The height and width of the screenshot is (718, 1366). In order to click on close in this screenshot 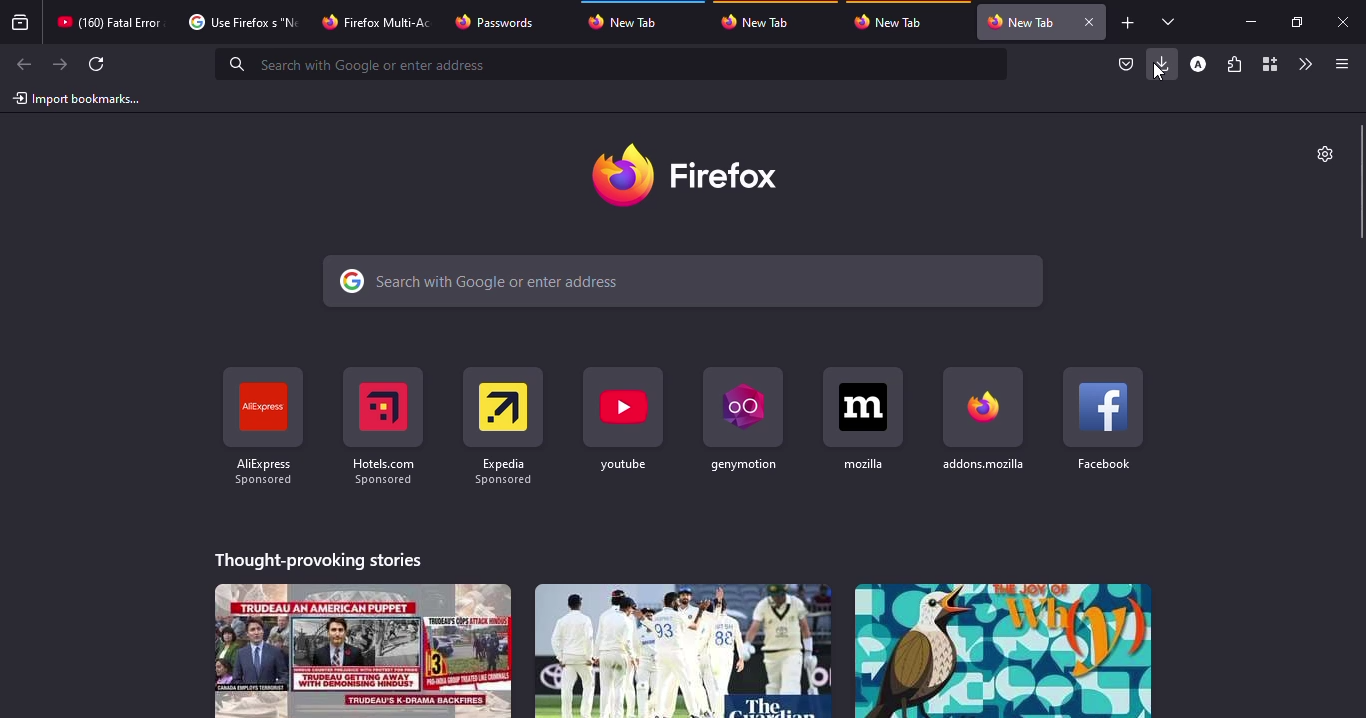, I will do `click(1345, 23)`.